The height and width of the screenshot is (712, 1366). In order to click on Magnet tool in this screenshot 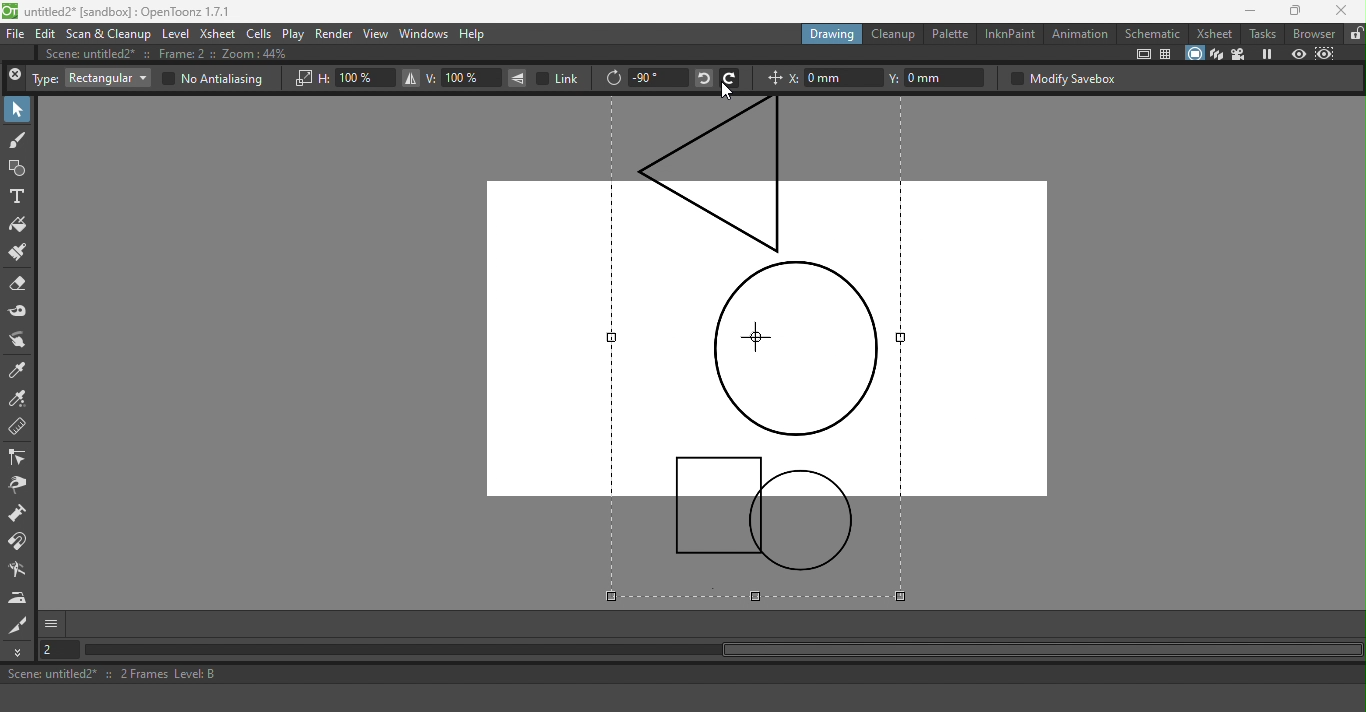, I will do `click(20, 543)`.